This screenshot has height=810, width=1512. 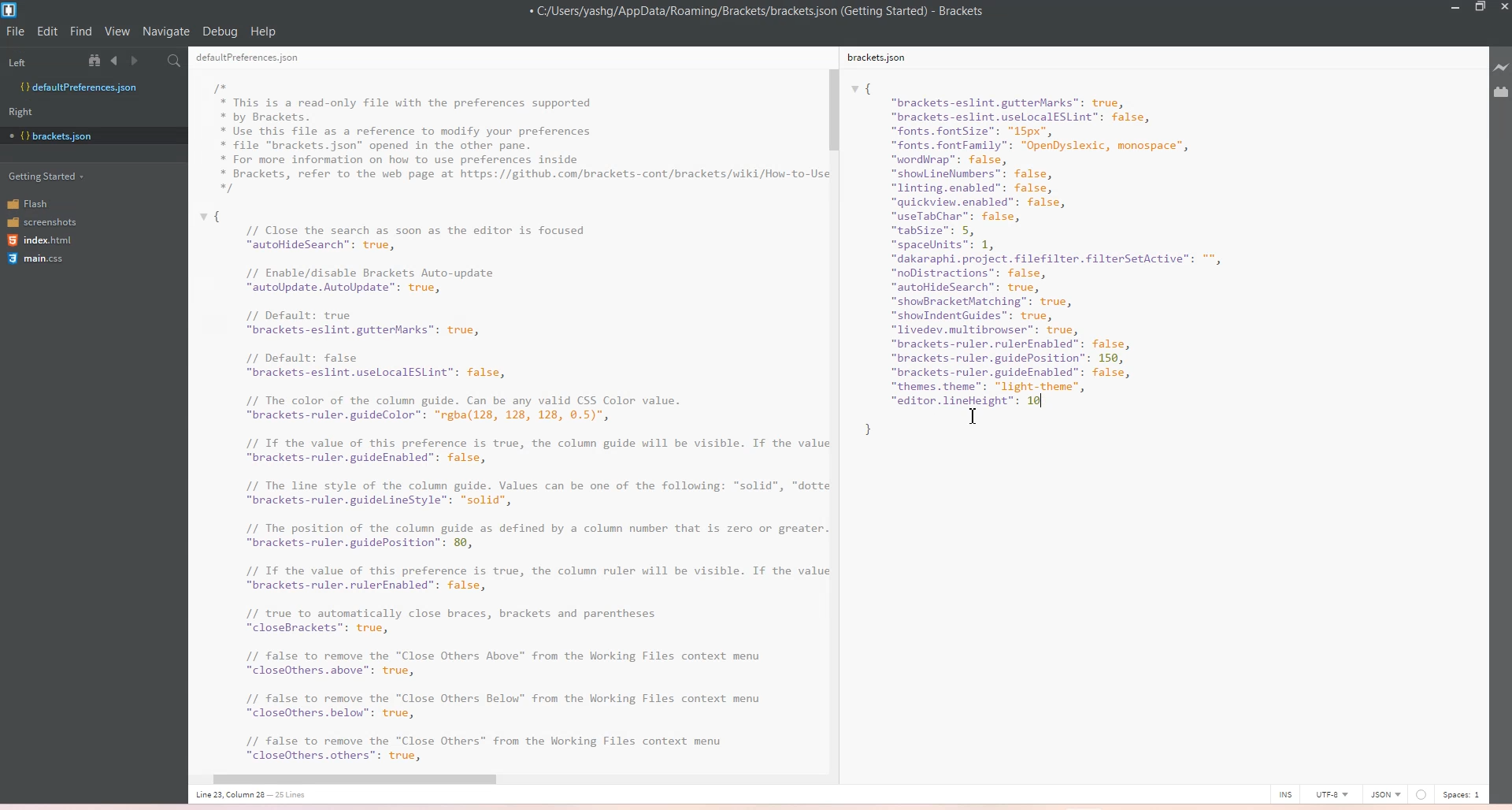 I want to click on Live Preview, so click(x=1499, y=68).